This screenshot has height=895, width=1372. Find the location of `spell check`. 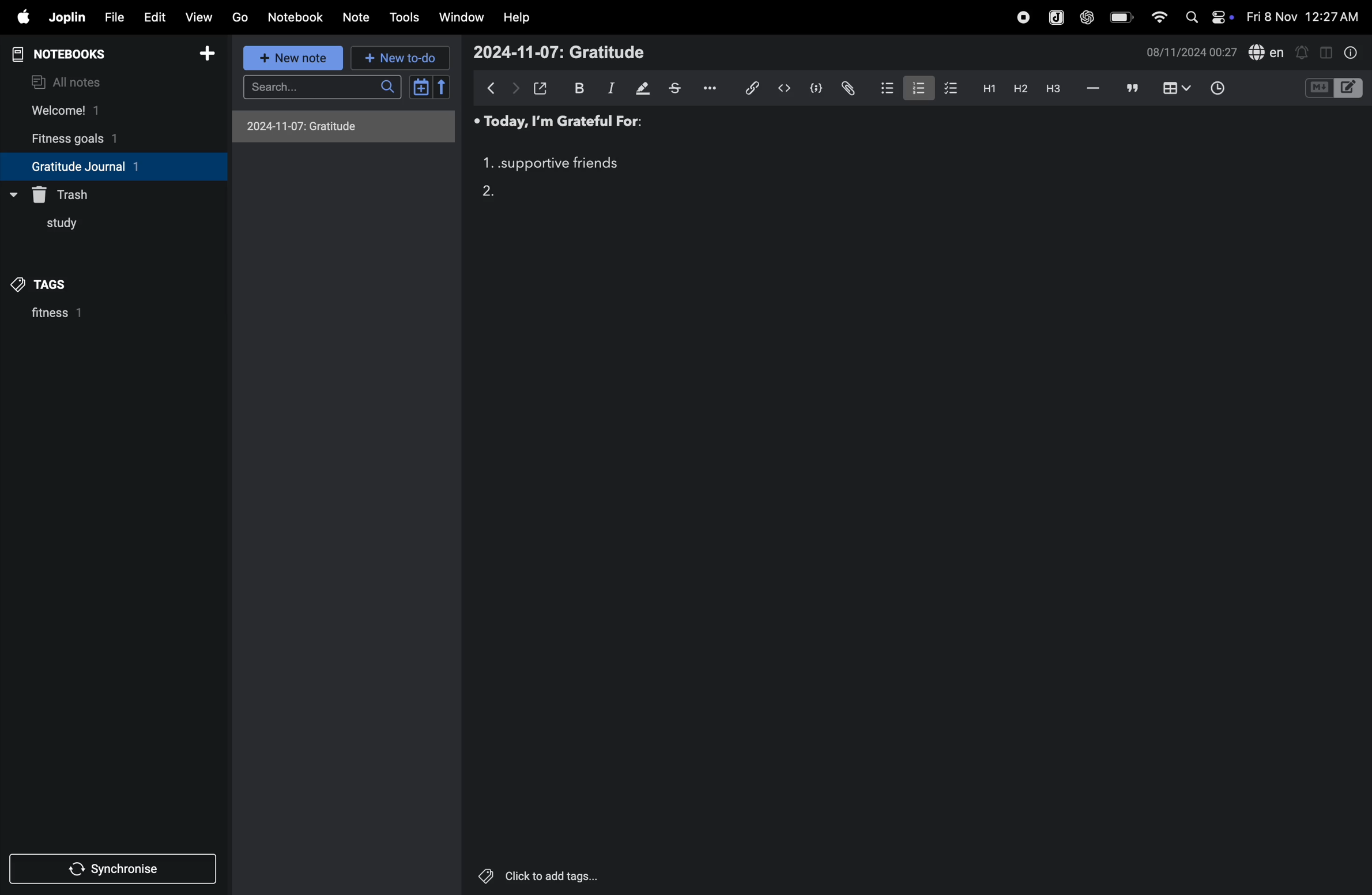

spell check is located at coordinates (1268, 51).